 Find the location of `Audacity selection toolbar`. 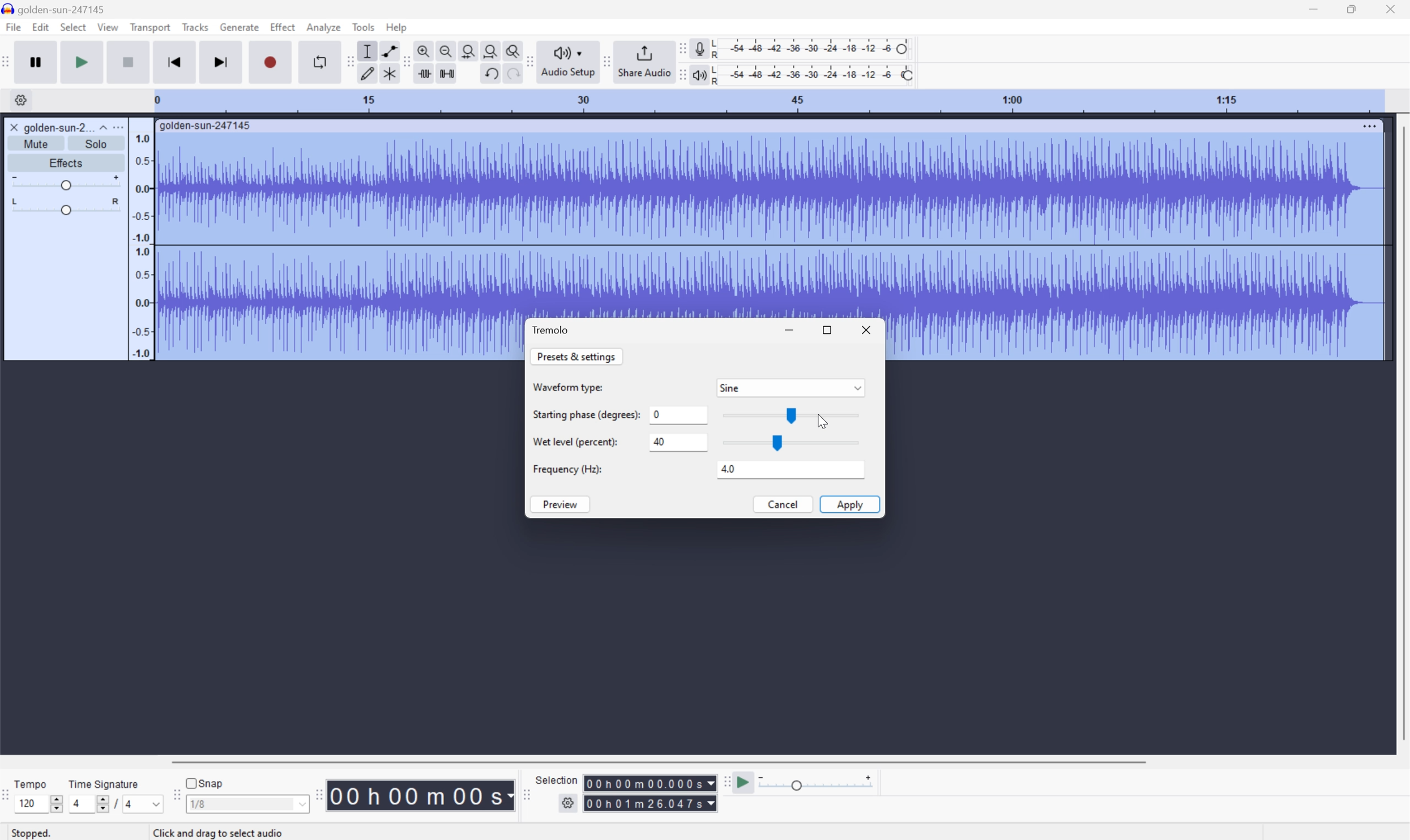

Audacity selection toolbar is located at coordinates (526, 798).